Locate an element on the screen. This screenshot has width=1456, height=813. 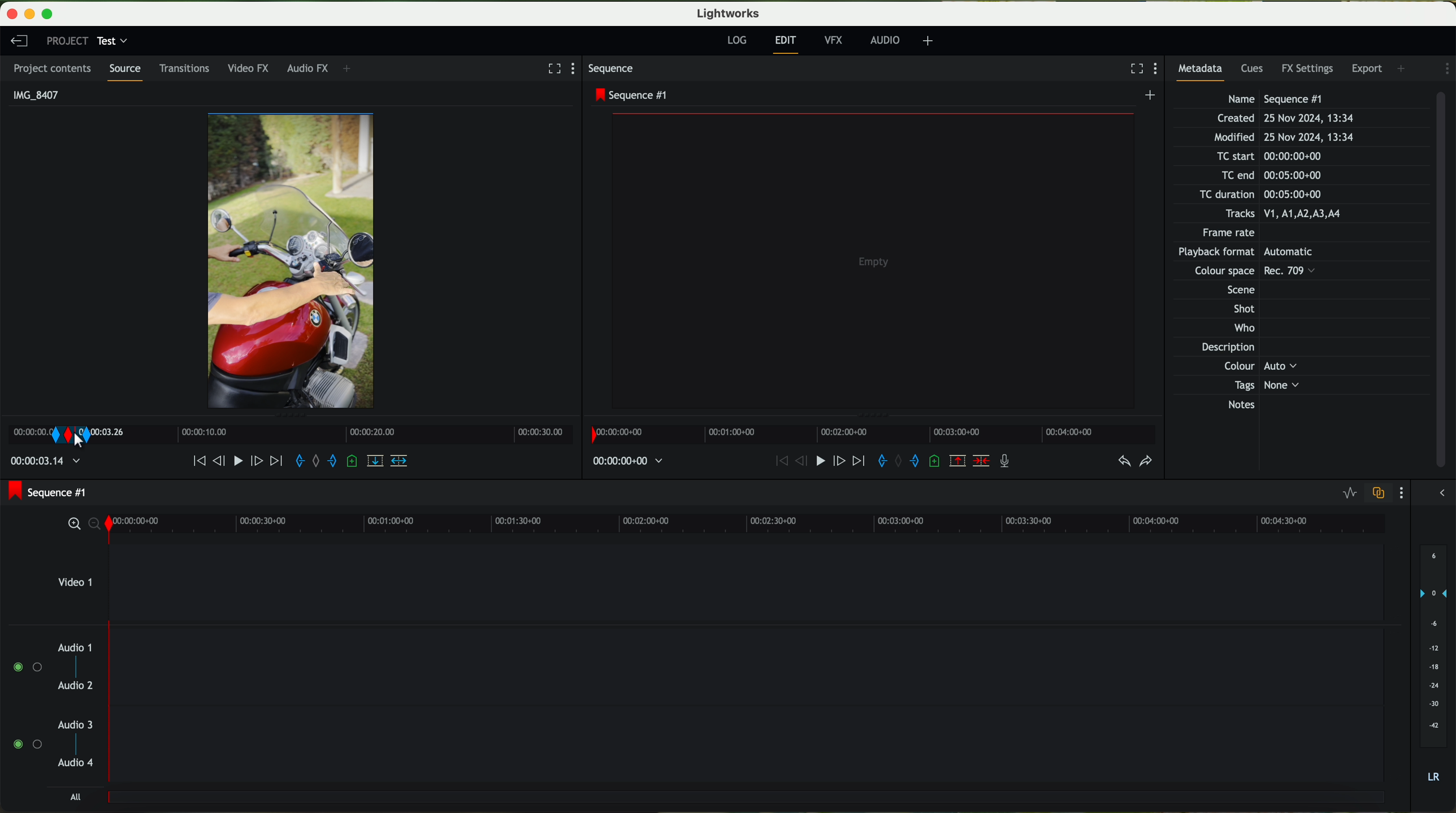
log is located at coordinates (738, 41).